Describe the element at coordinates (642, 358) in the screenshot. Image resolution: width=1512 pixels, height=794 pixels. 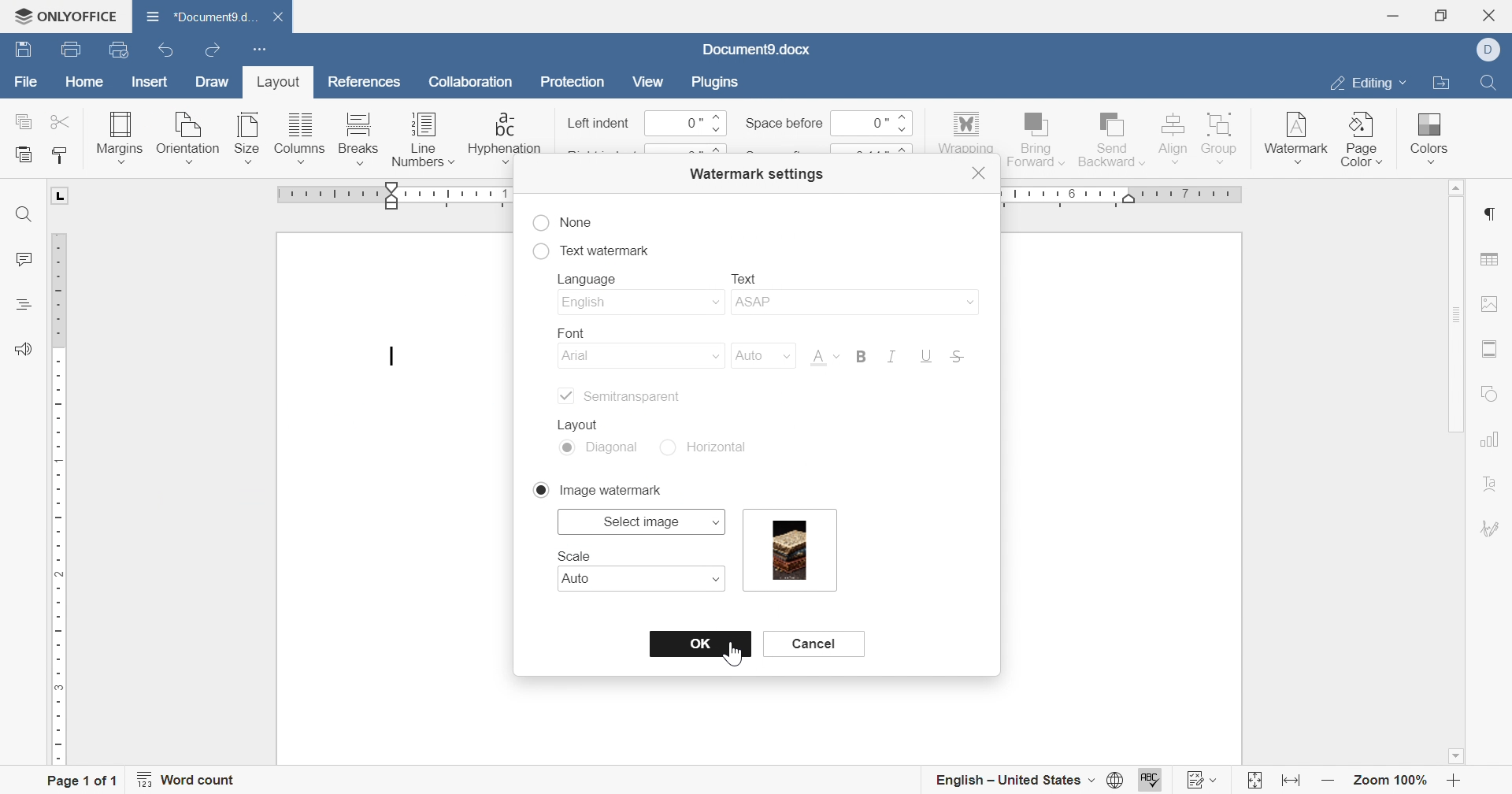
I see `arial` at that location.